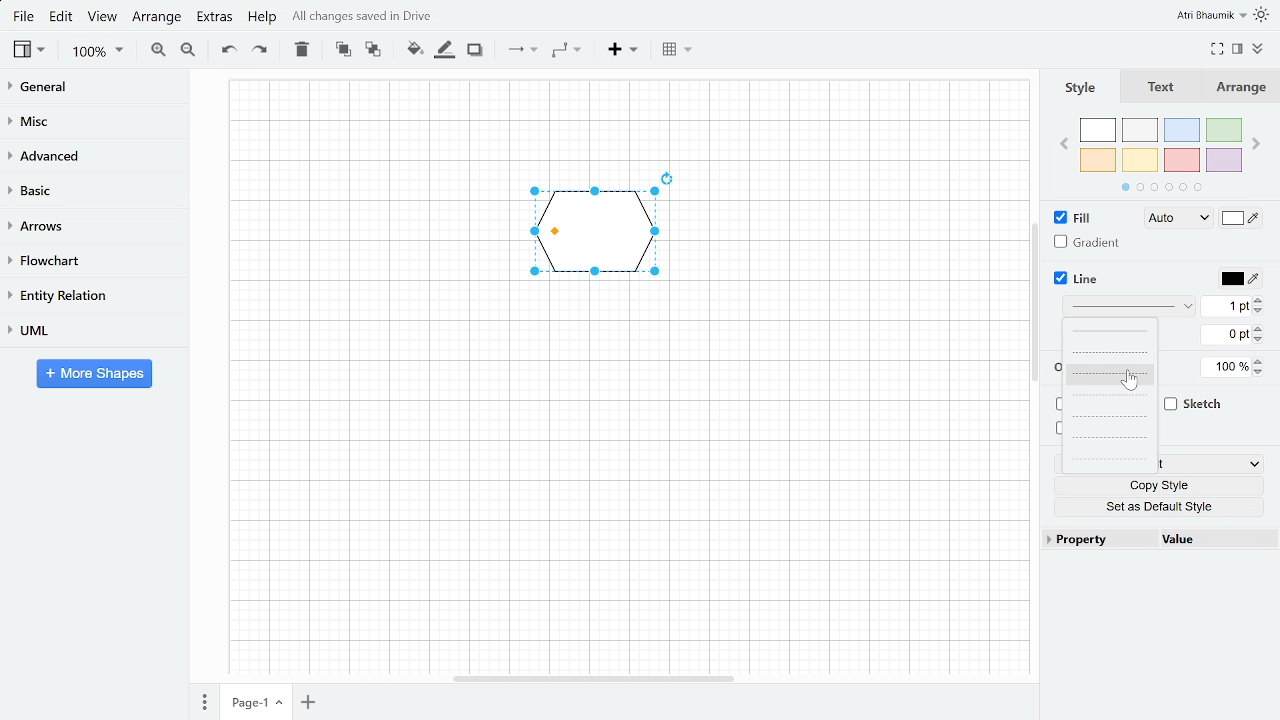 The width and height of the screenshot is (1280, 720). Describe the element at coordinates (188, 49) in the screenshot. I see `Zoom out` at that location.